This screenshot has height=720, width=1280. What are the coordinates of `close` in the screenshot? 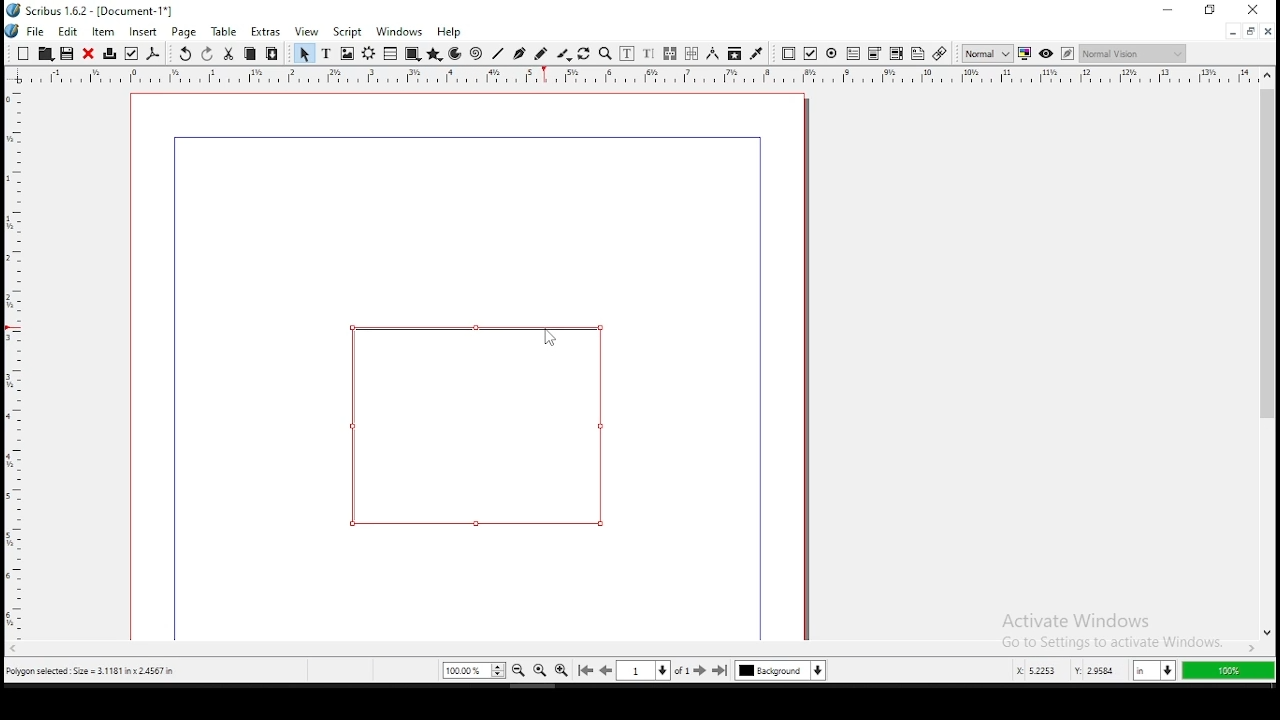 It's located at (1255, 10).